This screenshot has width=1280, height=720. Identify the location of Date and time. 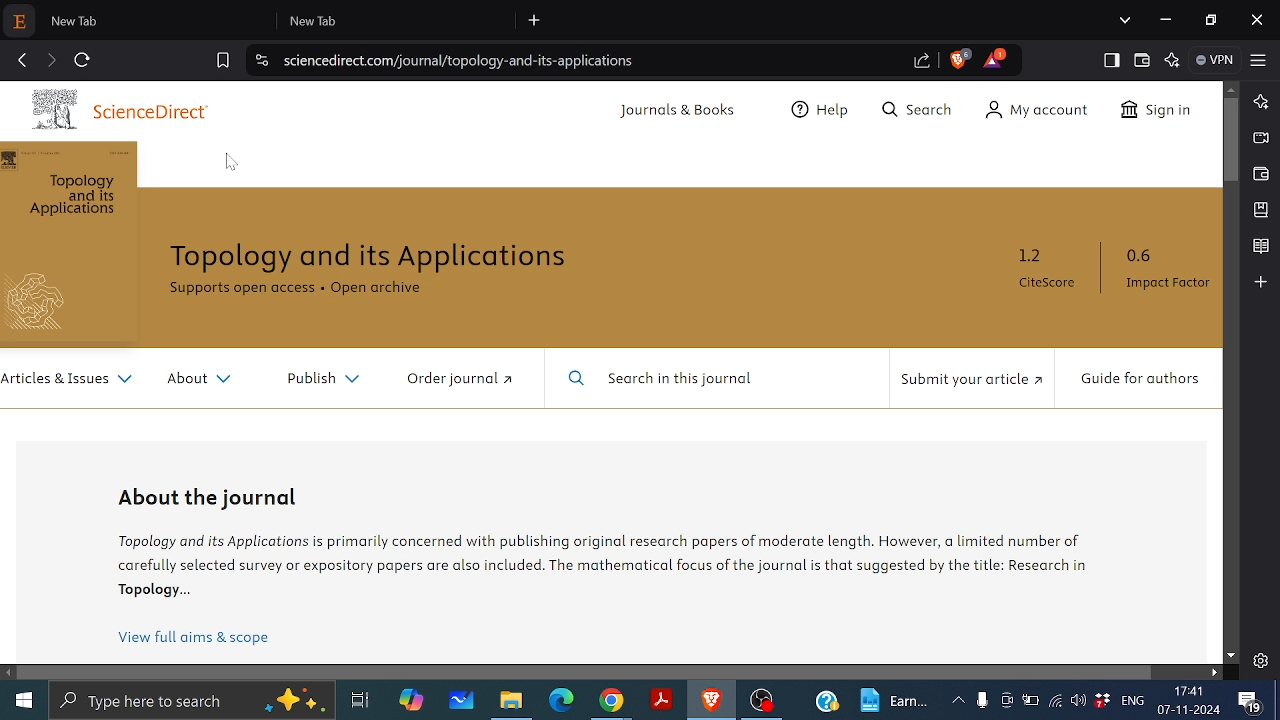
(1190, 700).